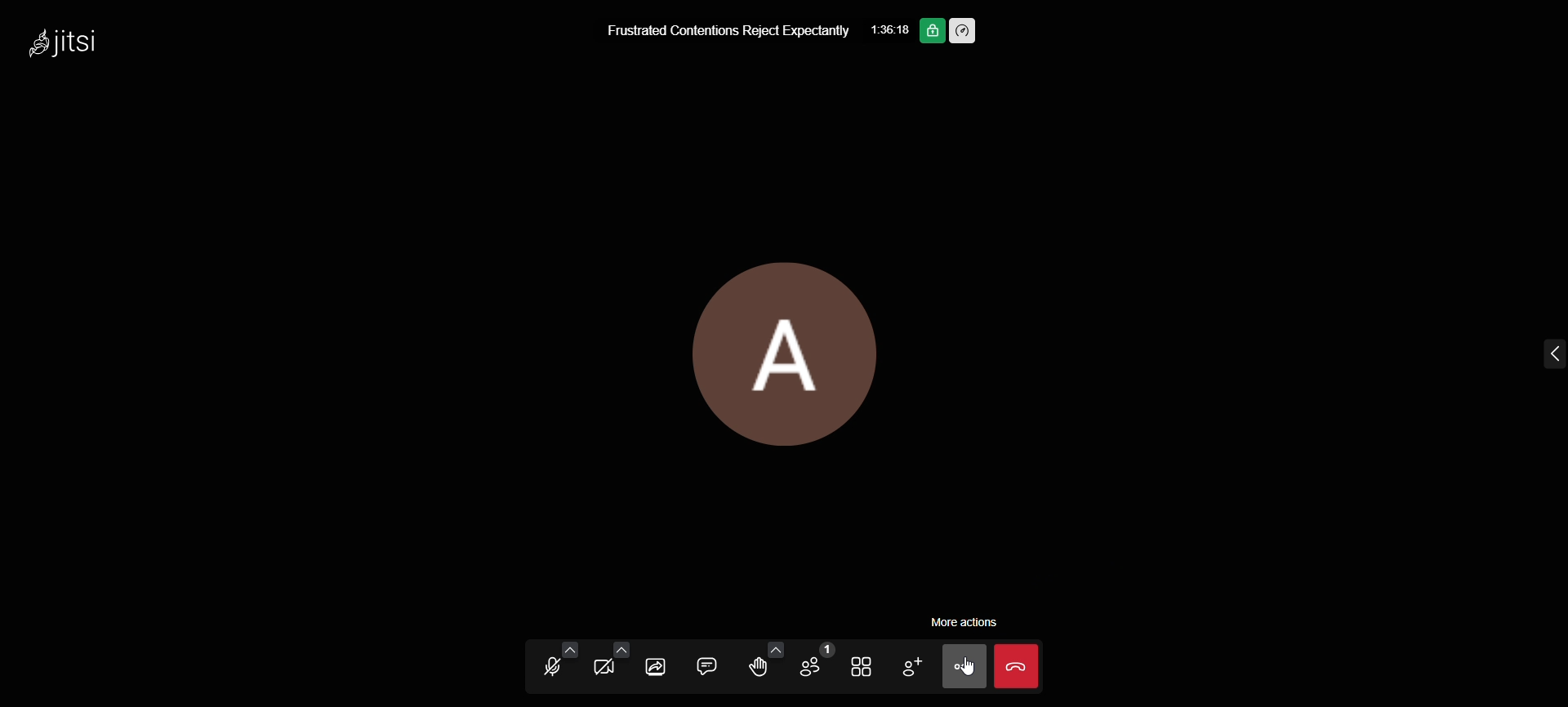  Describe the element at coordinates (773, 643) in the screenshot. I see `more reactions` at that location.